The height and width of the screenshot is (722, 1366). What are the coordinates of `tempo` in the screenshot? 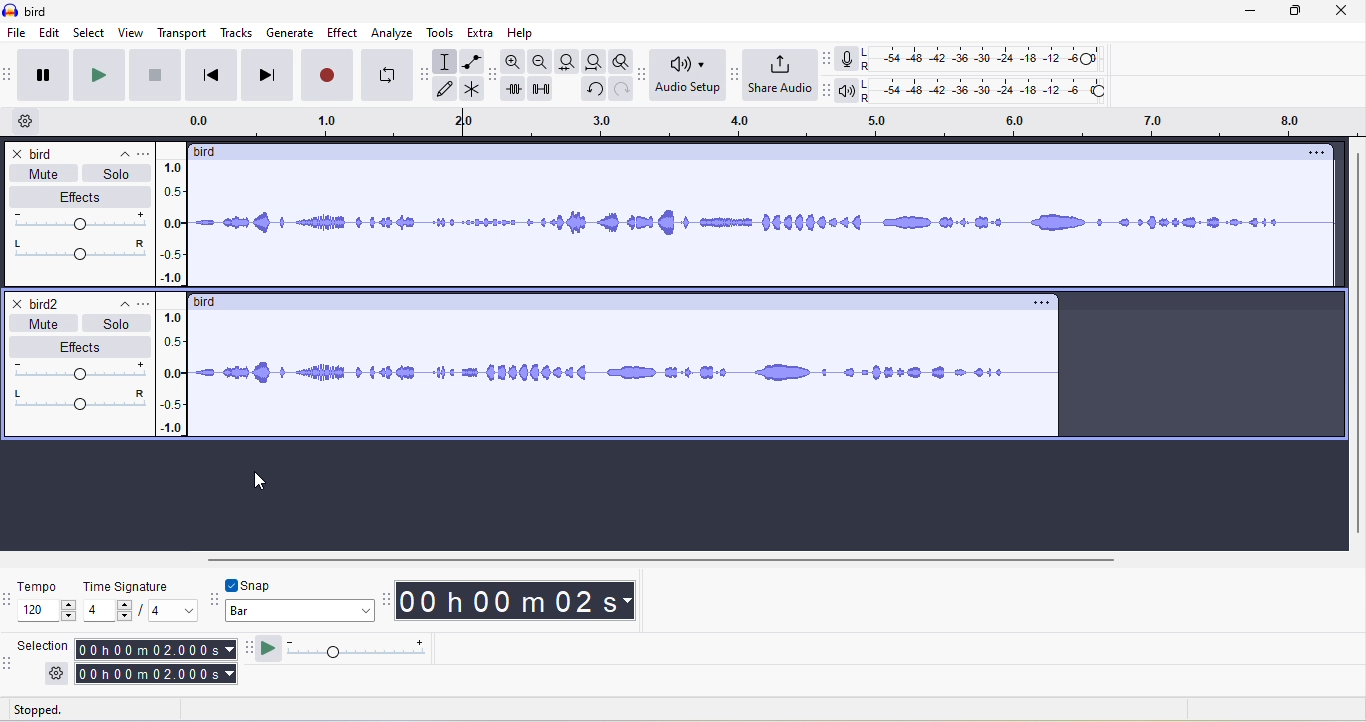 It's located at (47, 604).